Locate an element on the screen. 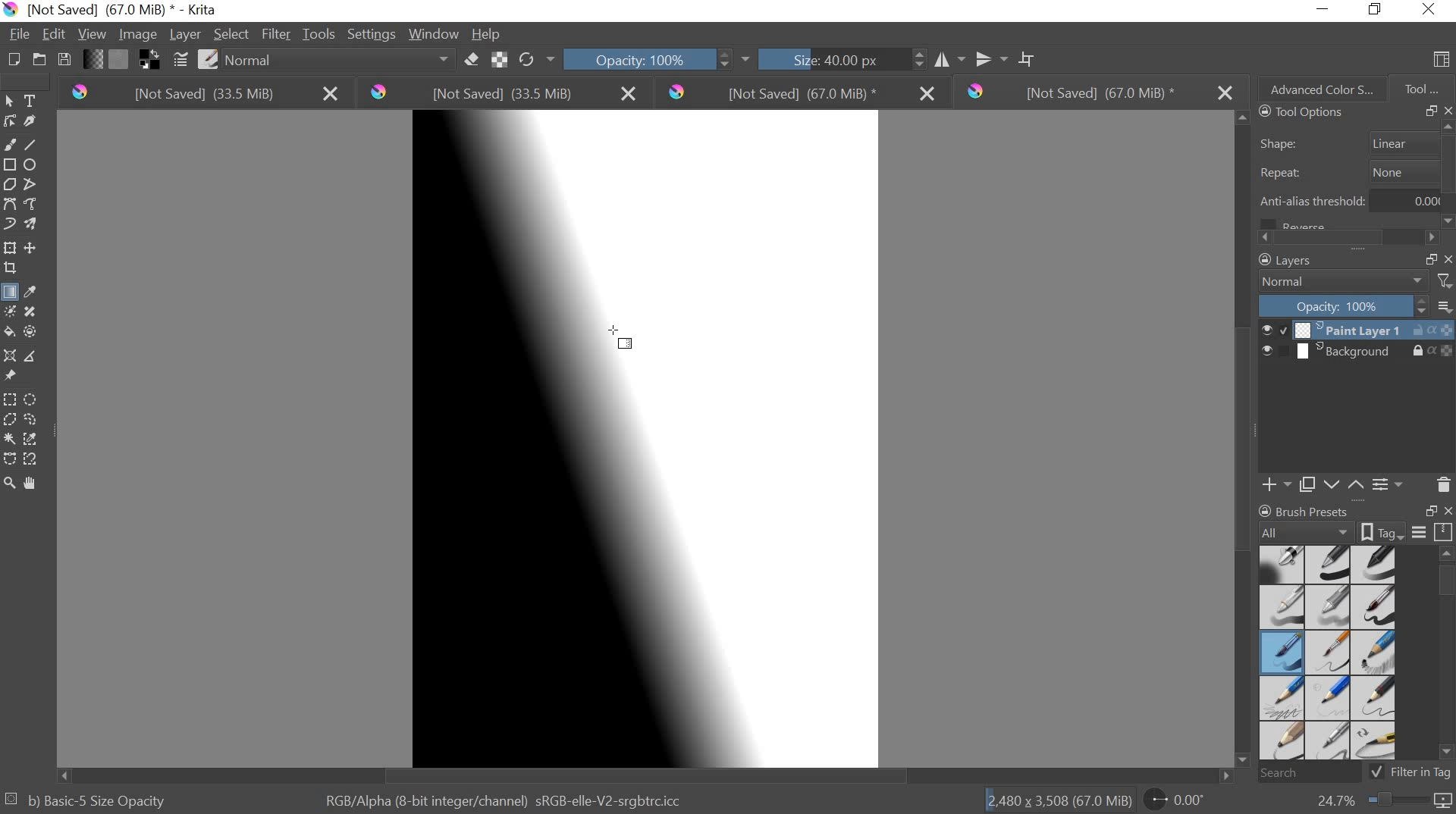 The height and width of the screenshot is (814, 1456). FILL GRADIENTS is located at coordinates (95, 61).